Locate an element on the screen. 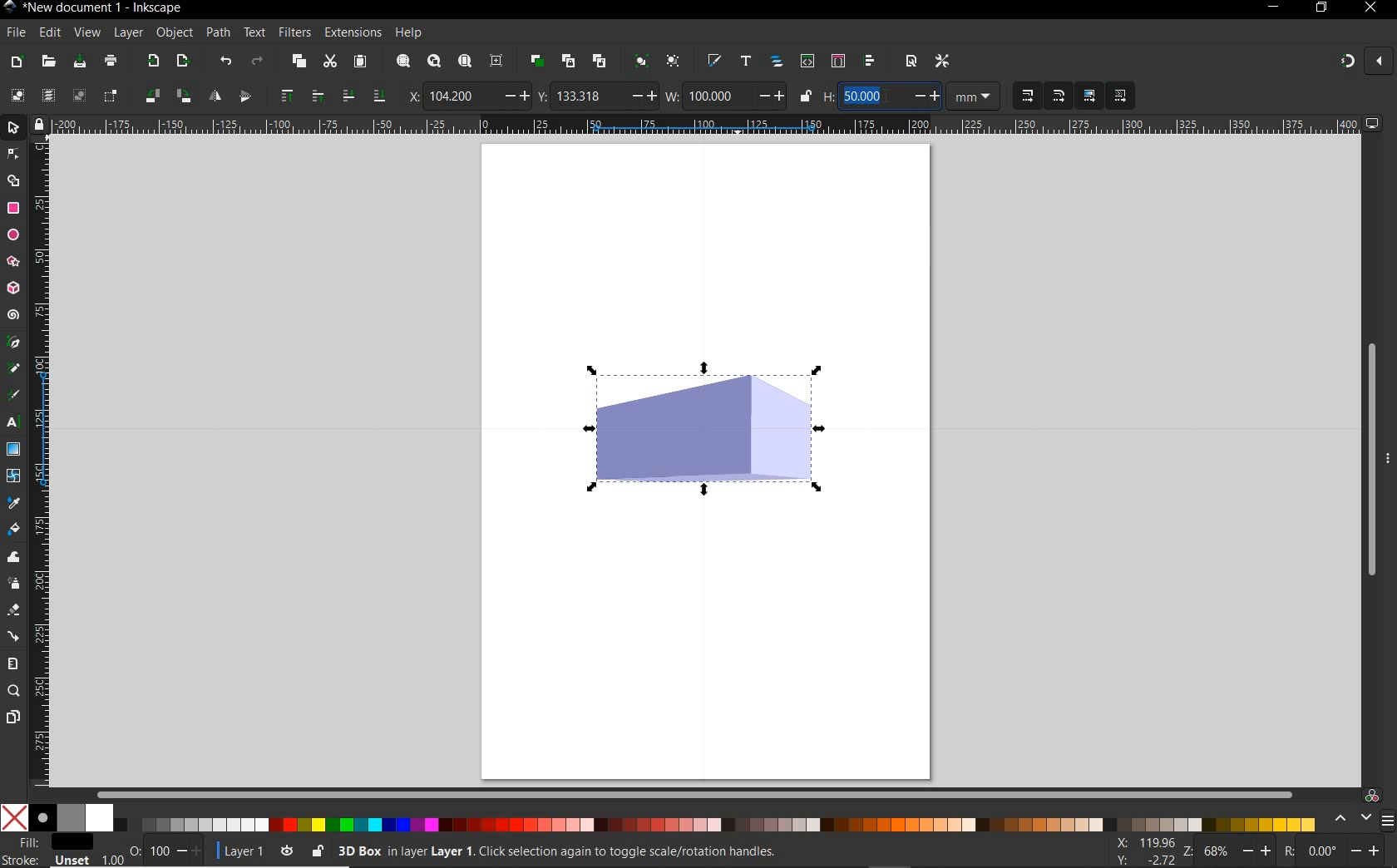 This screenshot has width=1397, height=868. lower selection is located at coordinates (380, 96).